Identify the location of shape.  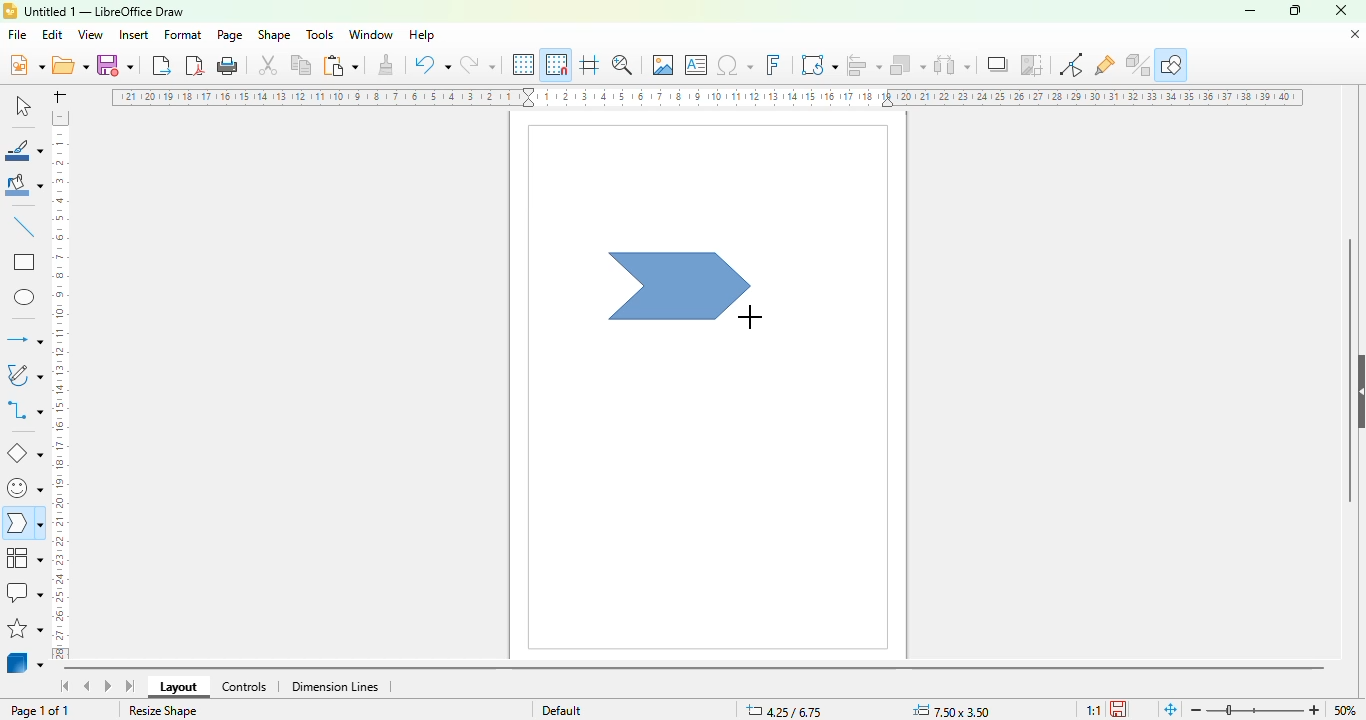
(274, 34).